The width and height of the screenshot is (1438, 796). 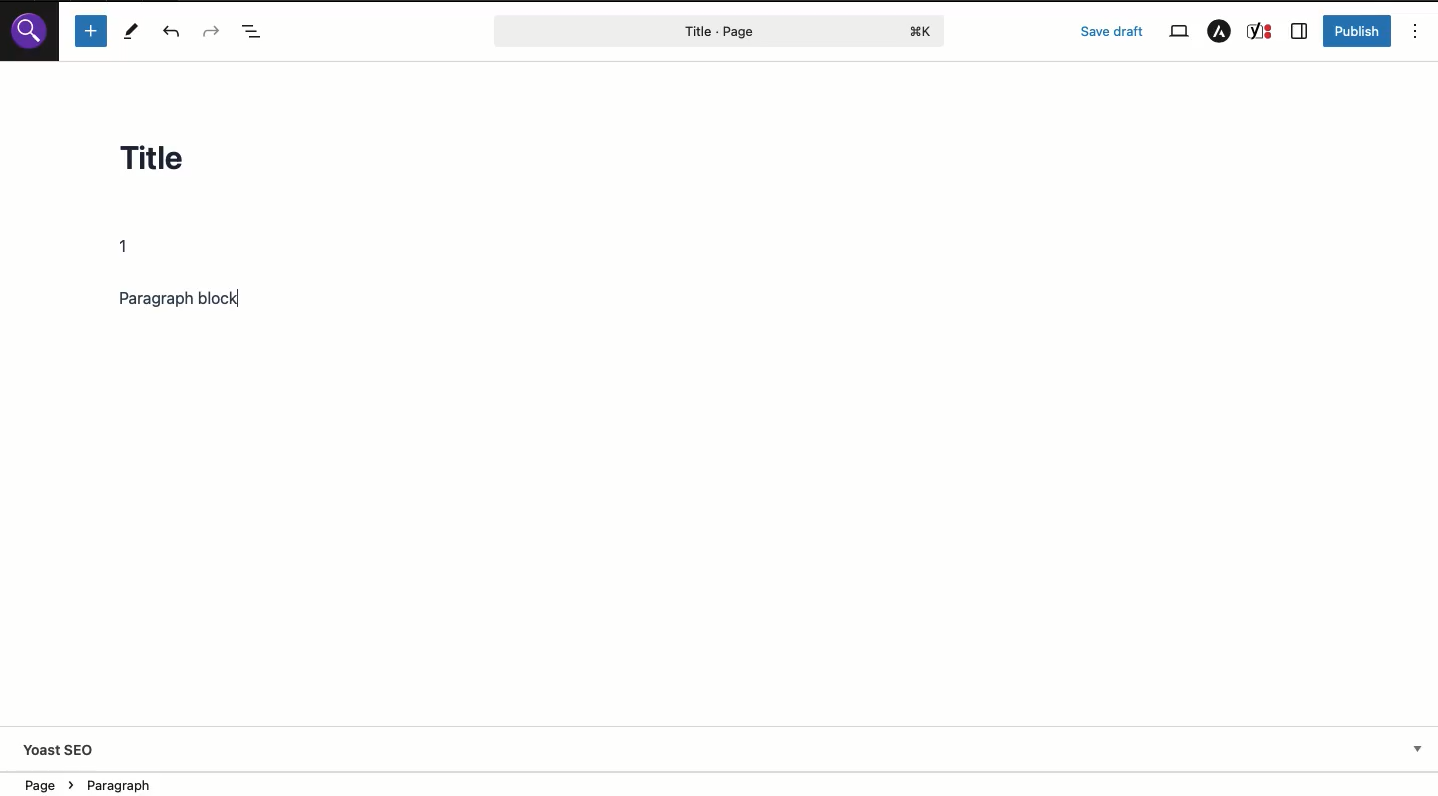 What do you see at coordinates (1261, 32) in the screenshot?
I see `Yoast` at bounding box center [1261, 32].